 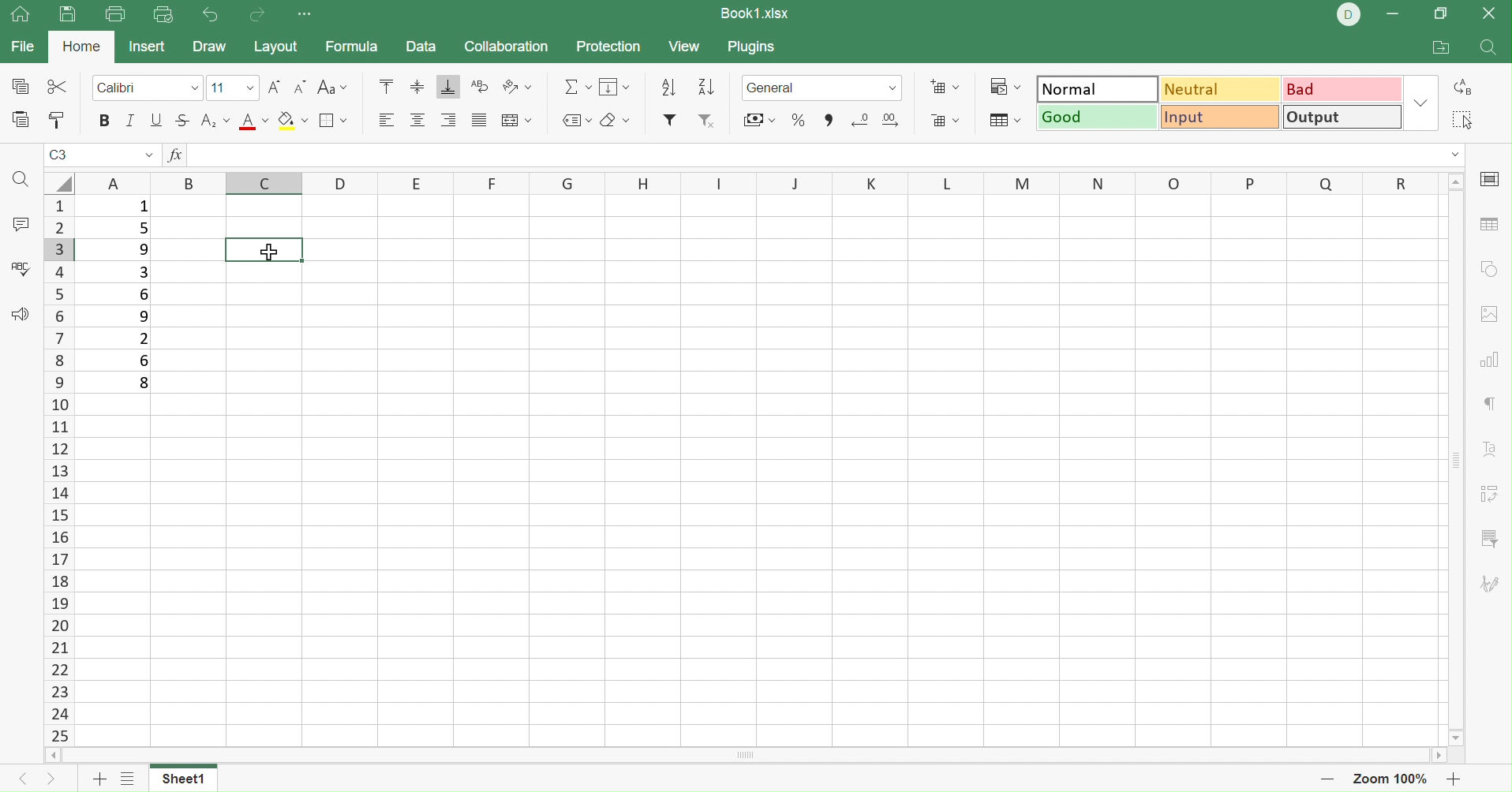 What do you see at coordinates (417, 86) in the screenshot?
I see `Align middle` at bounding box center [417, 86].